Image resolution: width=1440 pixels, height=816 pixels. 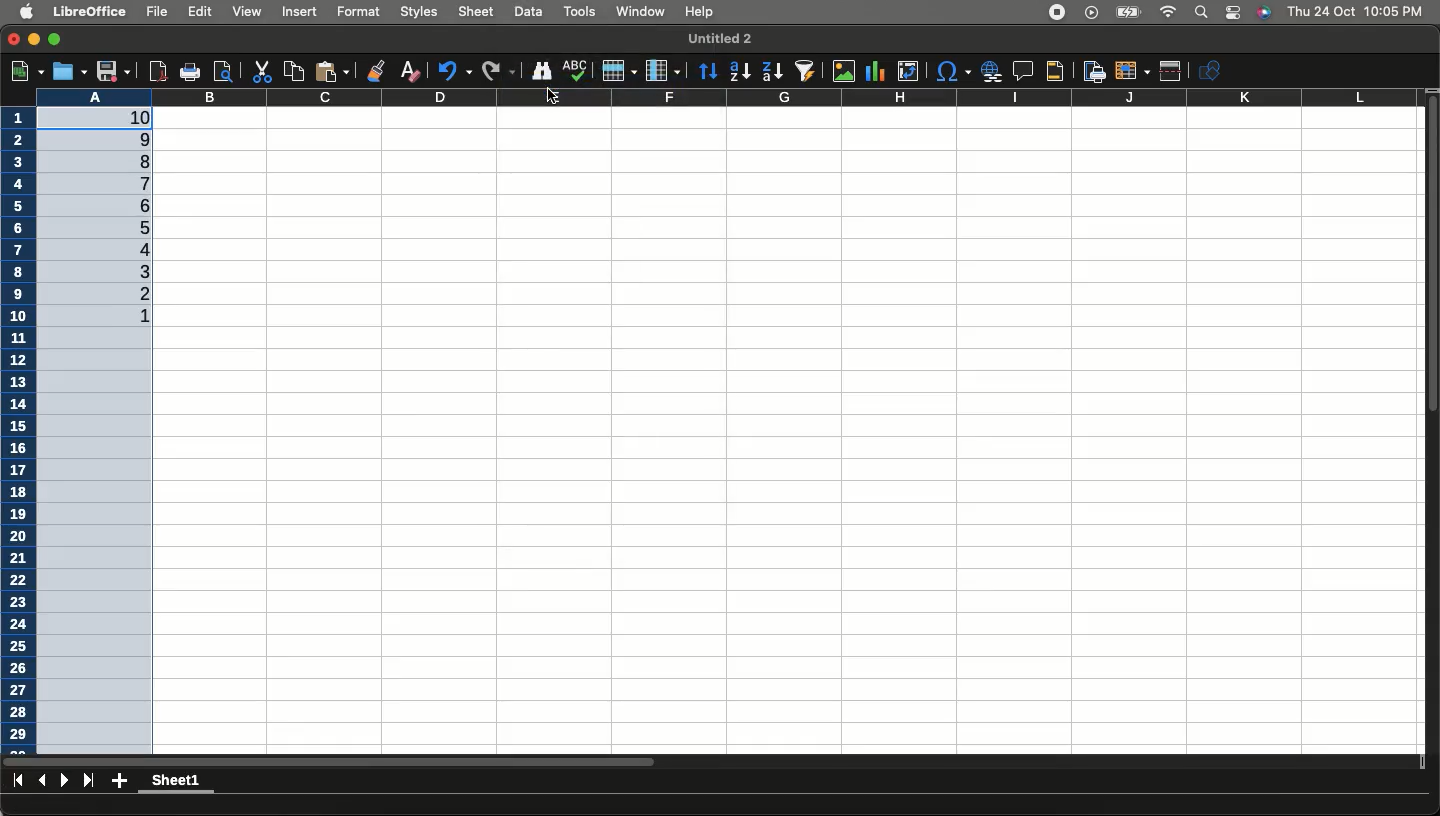 I want to click on Print, so click(x=189, y=73).